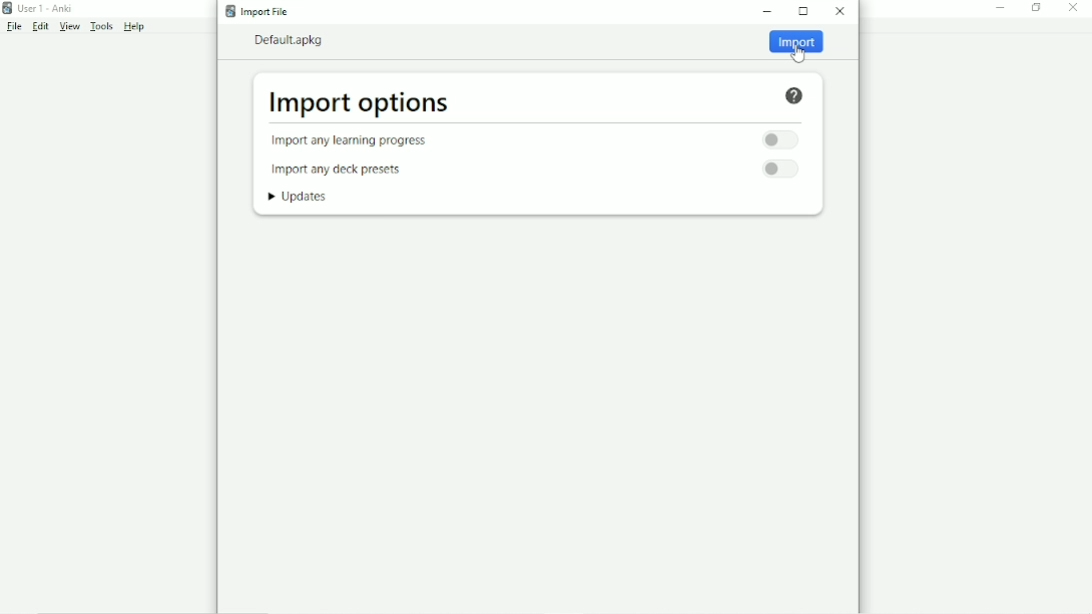 This screenshot has height=614, width=1092. I want to click on Minimize, so click(1002, 8).